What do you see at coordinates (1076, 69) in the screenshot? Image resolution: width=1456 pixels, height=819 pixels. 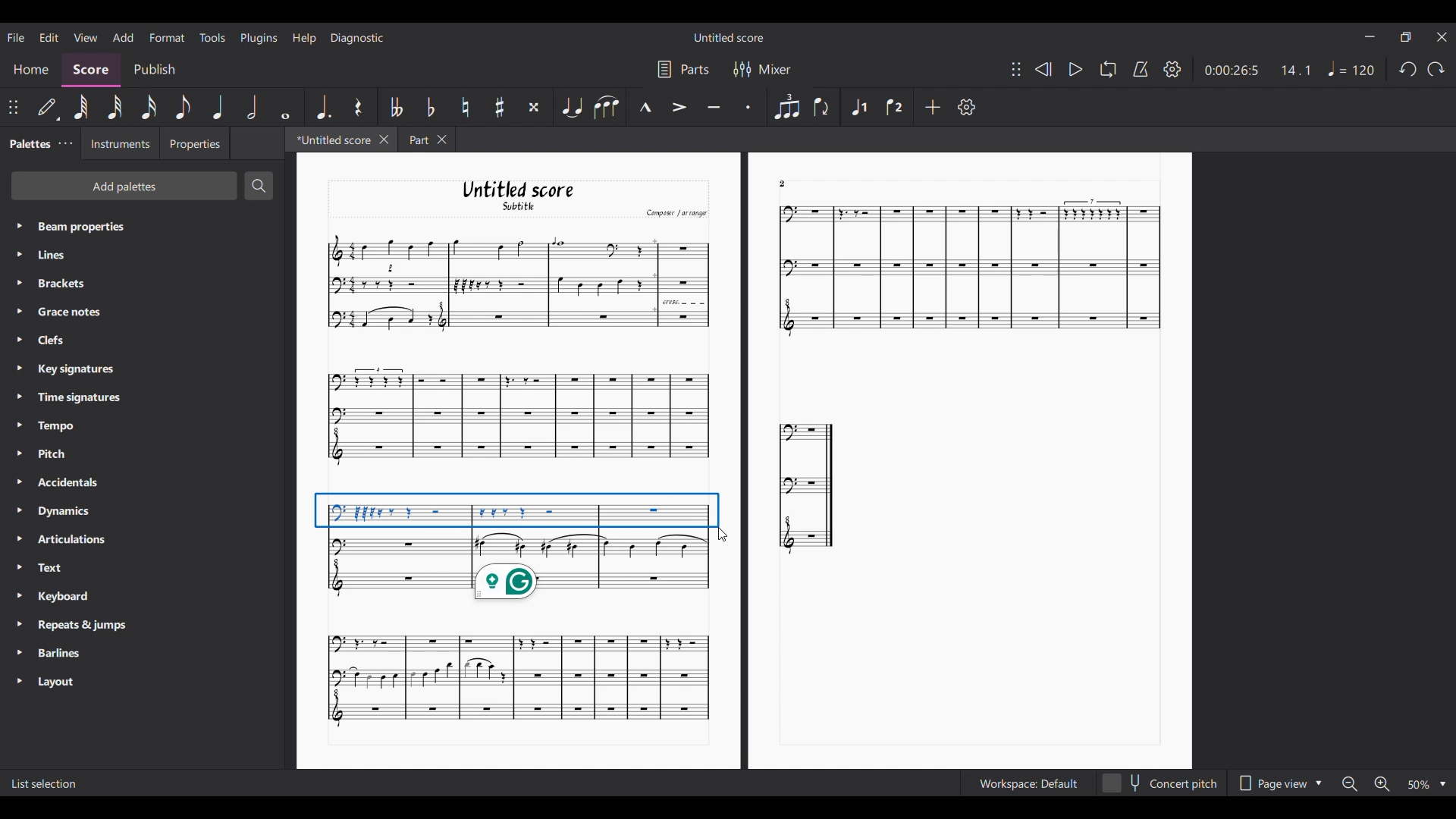 I see `Play` at bounding box center [1076, 69].